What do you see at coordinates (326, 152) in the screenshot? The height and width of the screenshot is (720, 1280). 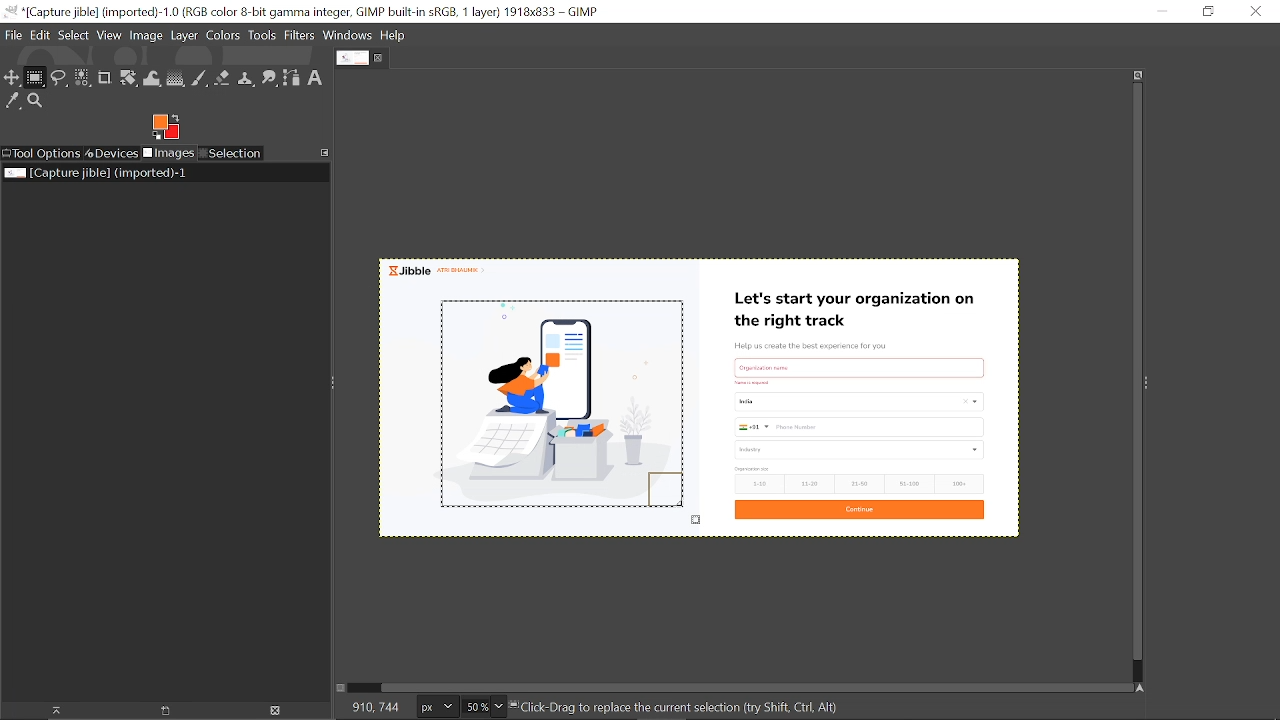 I see `Configure this tab` at bounding box center [326, 152].